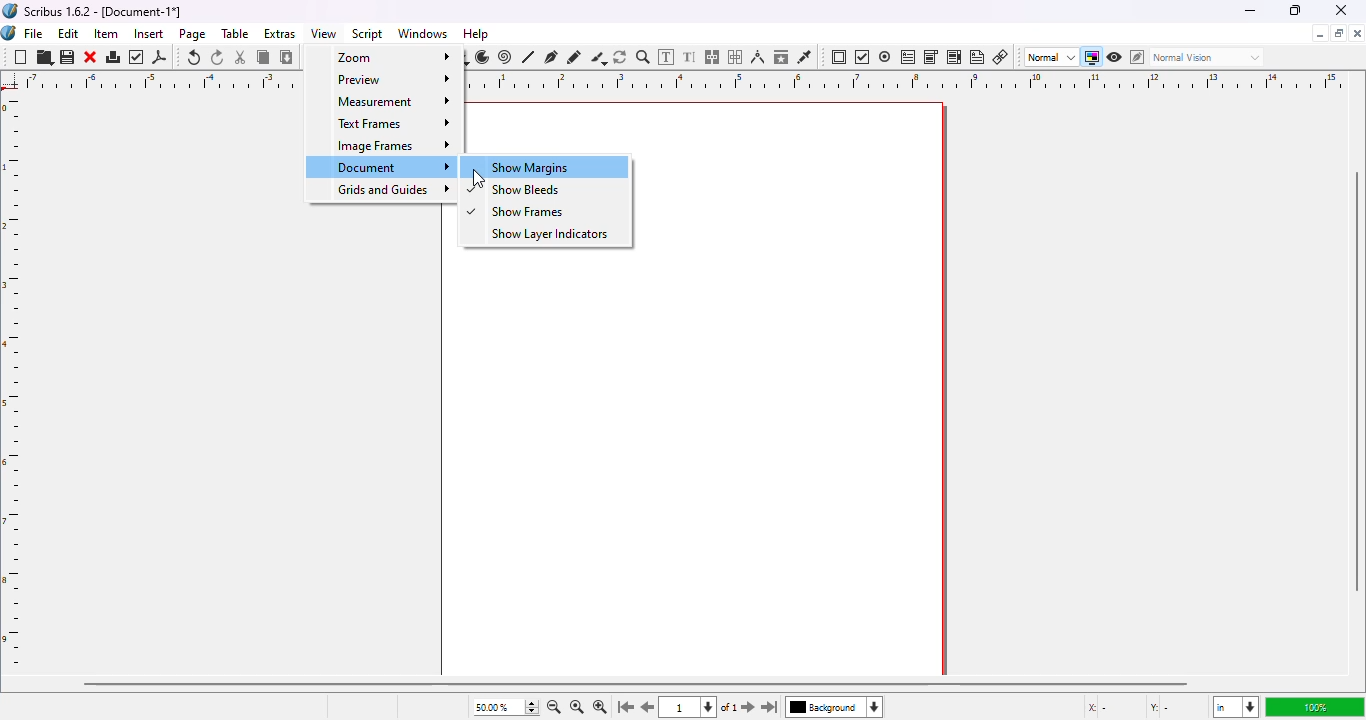 This screenshot has width=1366, height=720. What do you see at coordinates (1091, 57) in the screenshot?
I see `toggle color management system` at bounding box center [1091, 57].